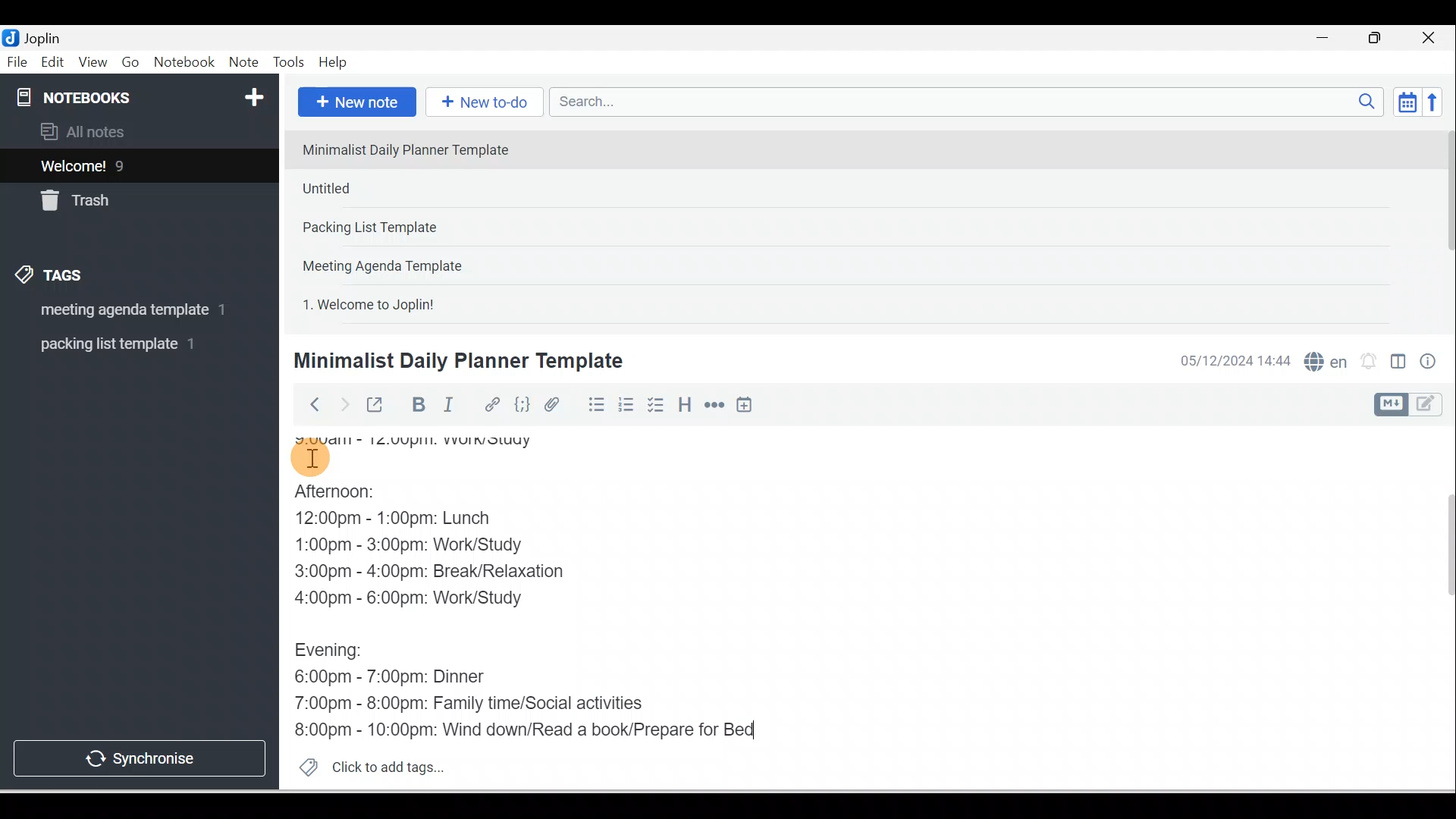  I want to click on 12:00pm - 1:00pm: Lunch, so click(413, 519).